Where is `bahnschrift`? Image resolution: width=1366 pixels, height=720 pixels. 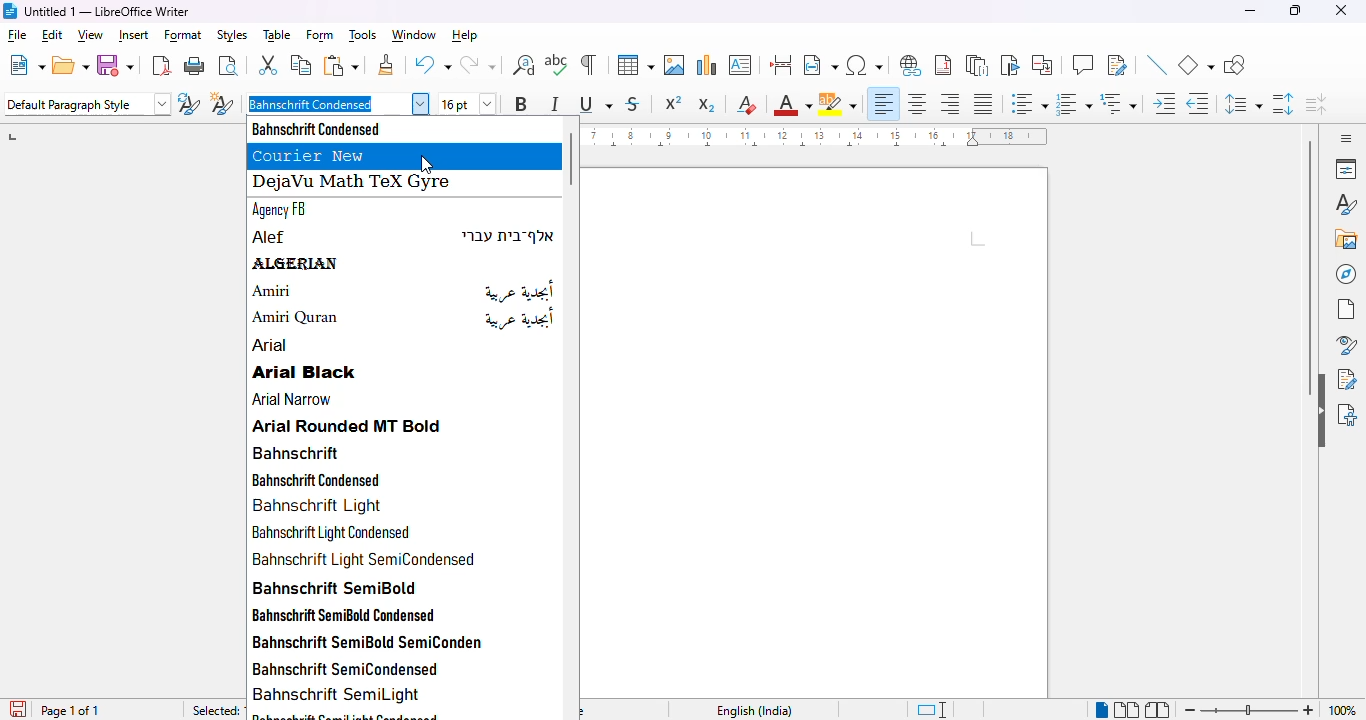
bahnschrift is located at coordinates (298, 453).